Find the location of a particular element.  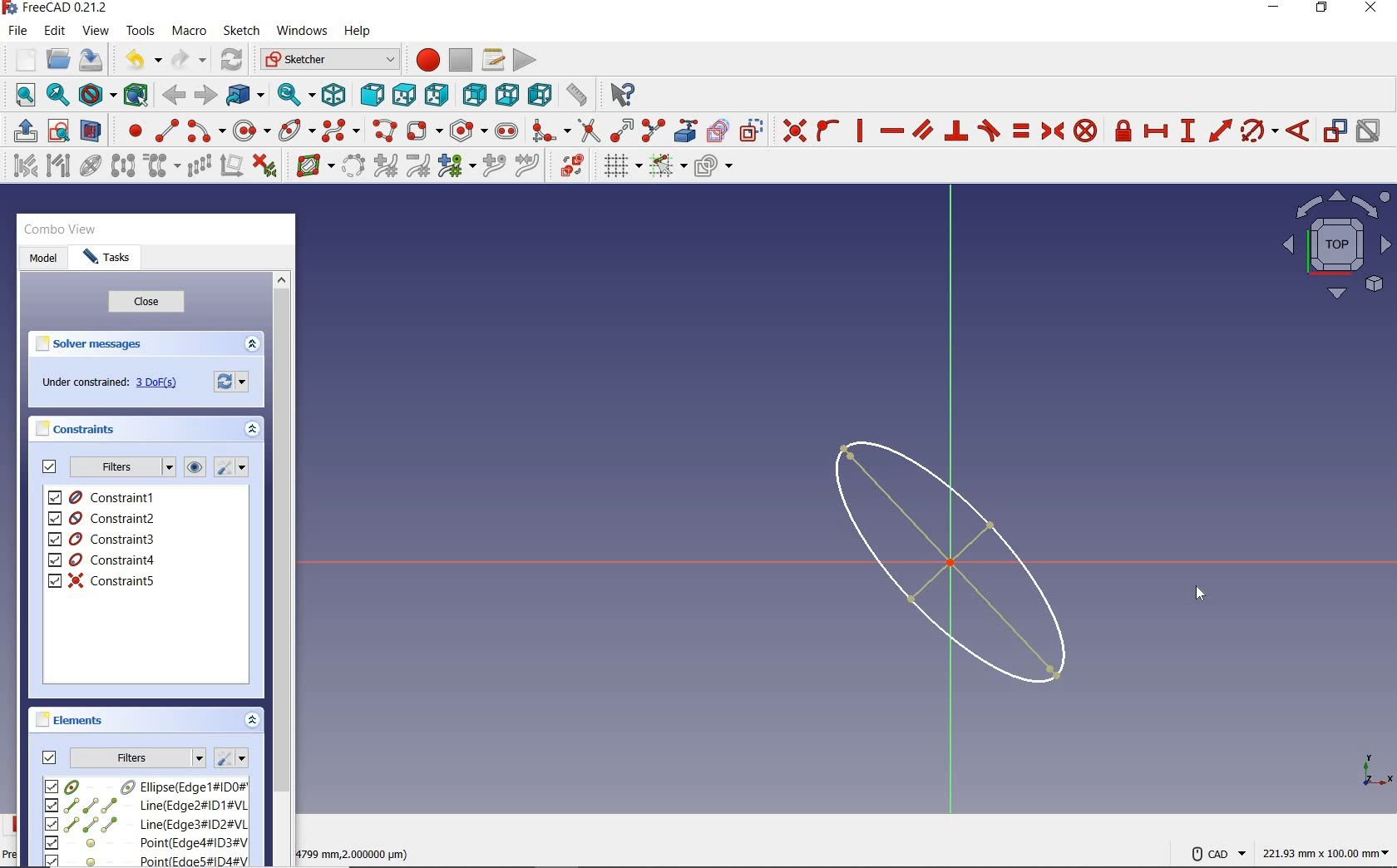

trim edge is located at coordinates (588, 130).